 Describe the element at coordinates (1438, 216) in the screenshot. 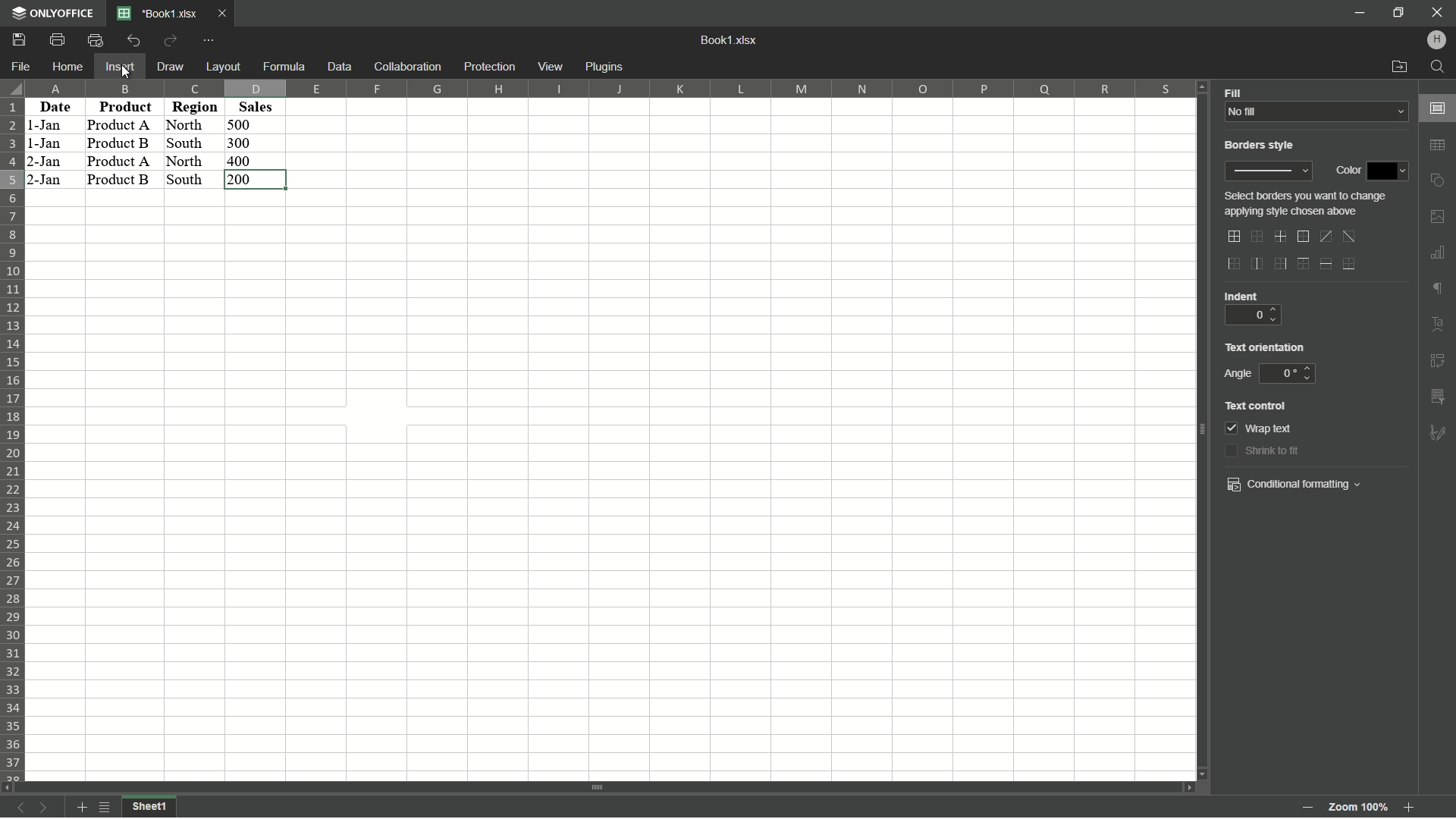

I see `insert image` at that location.